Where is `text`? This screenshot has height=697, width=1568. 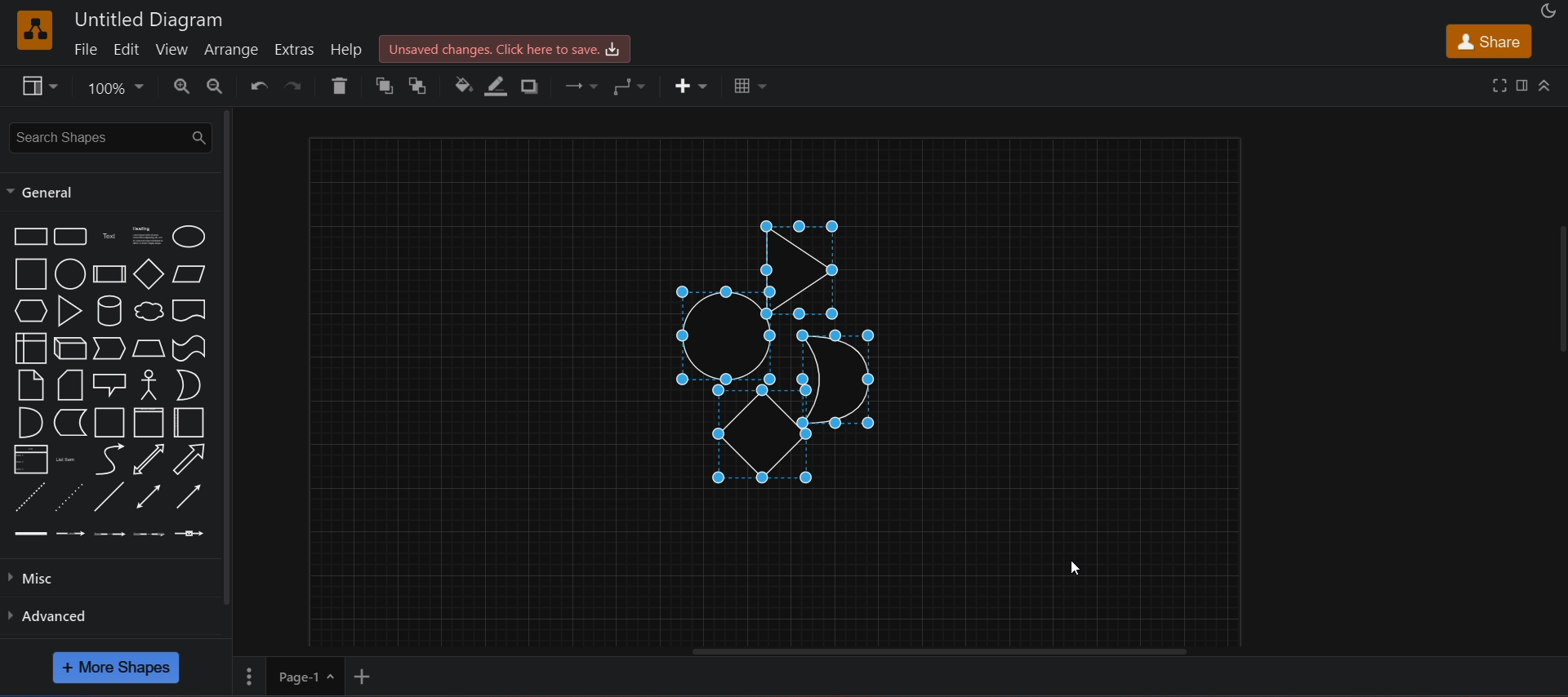 text is located at coordinates (109, 238).